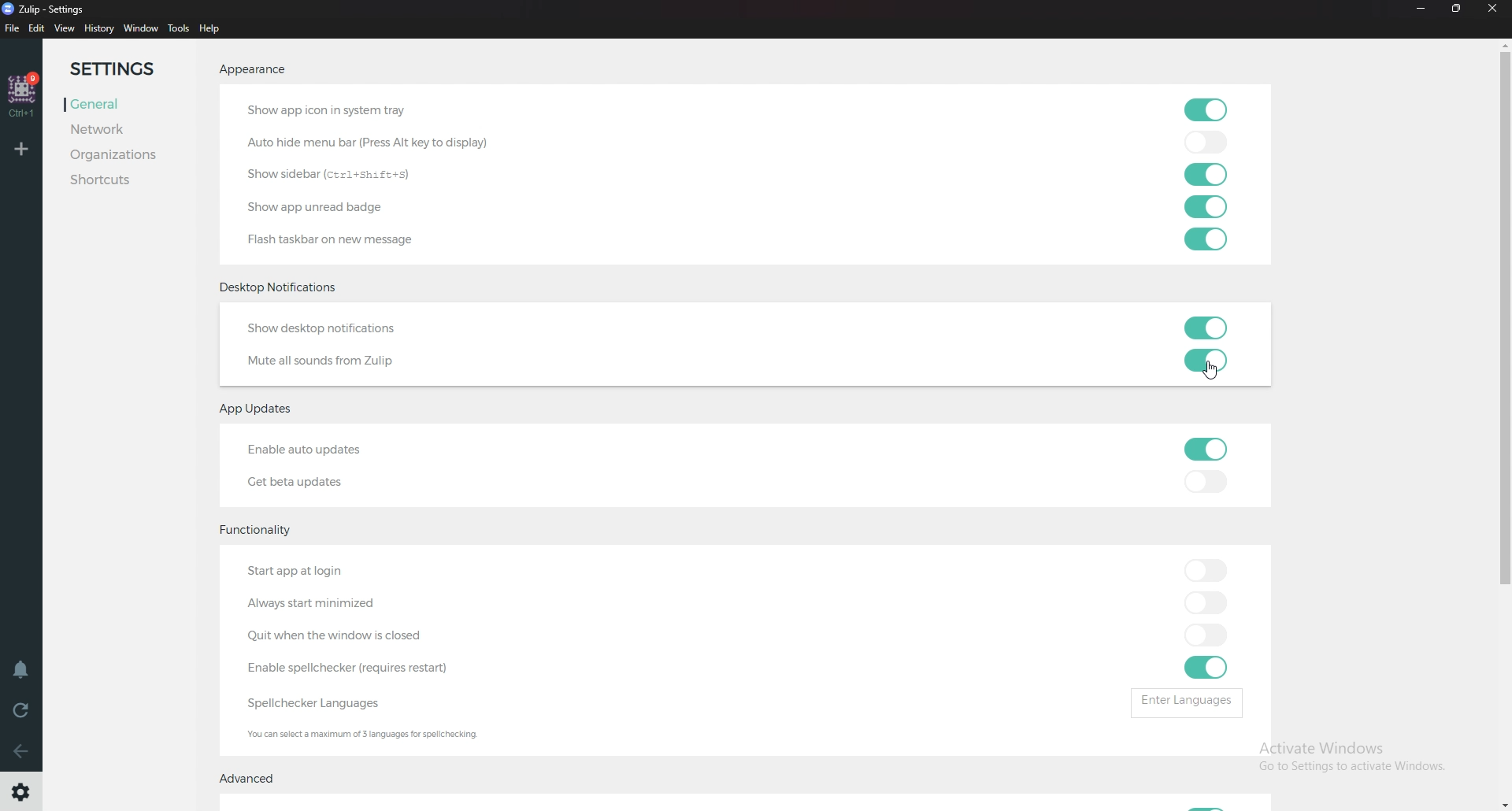  What do you see at coordinates (308, 480) in the screenshot?
I see `Get beta updates` at bounding box center [308, 480].